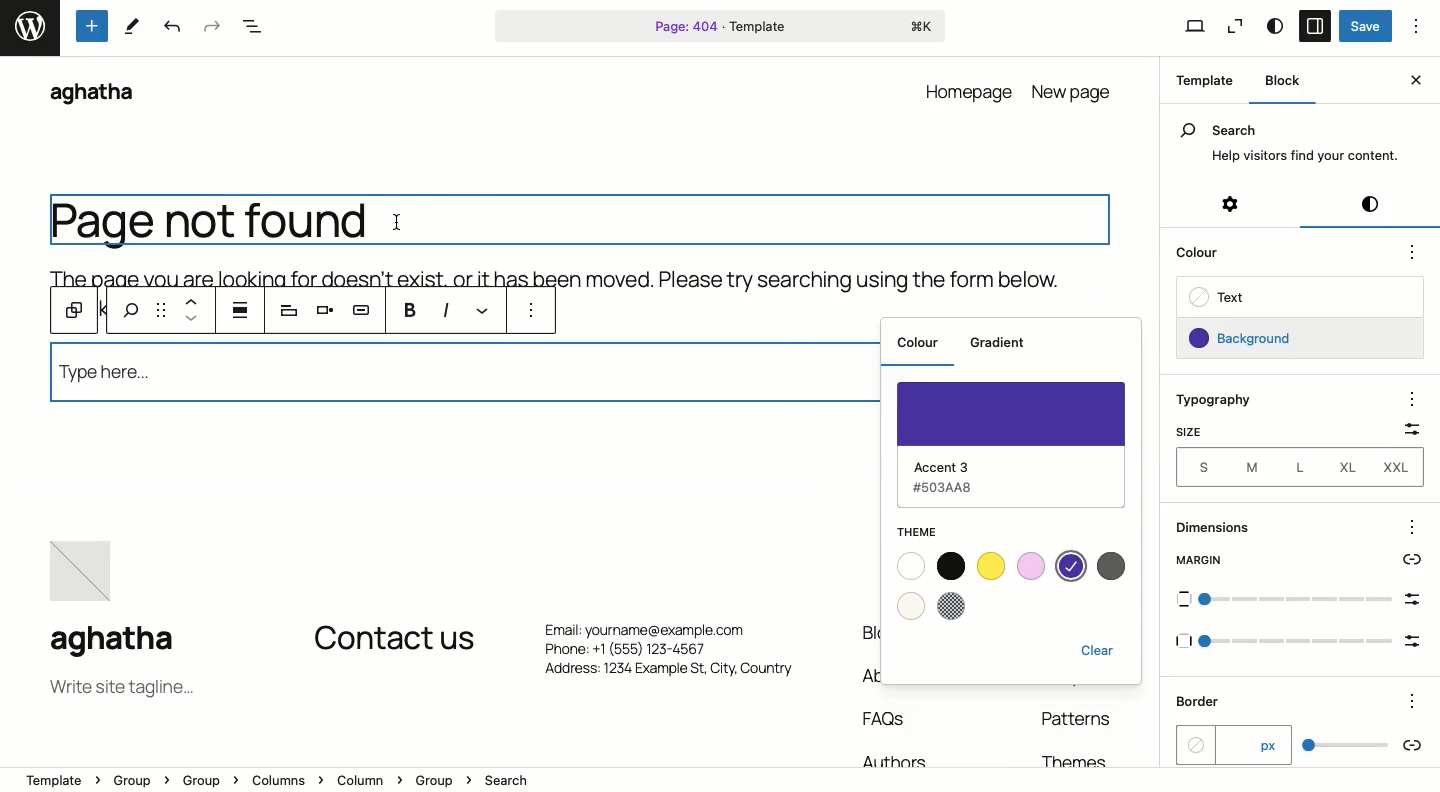 This screenshot has width=1440, height=792. What do you see at coordinates (1300, 466) in the screenshot?
I see `L` at bounding box center [1300, 466].